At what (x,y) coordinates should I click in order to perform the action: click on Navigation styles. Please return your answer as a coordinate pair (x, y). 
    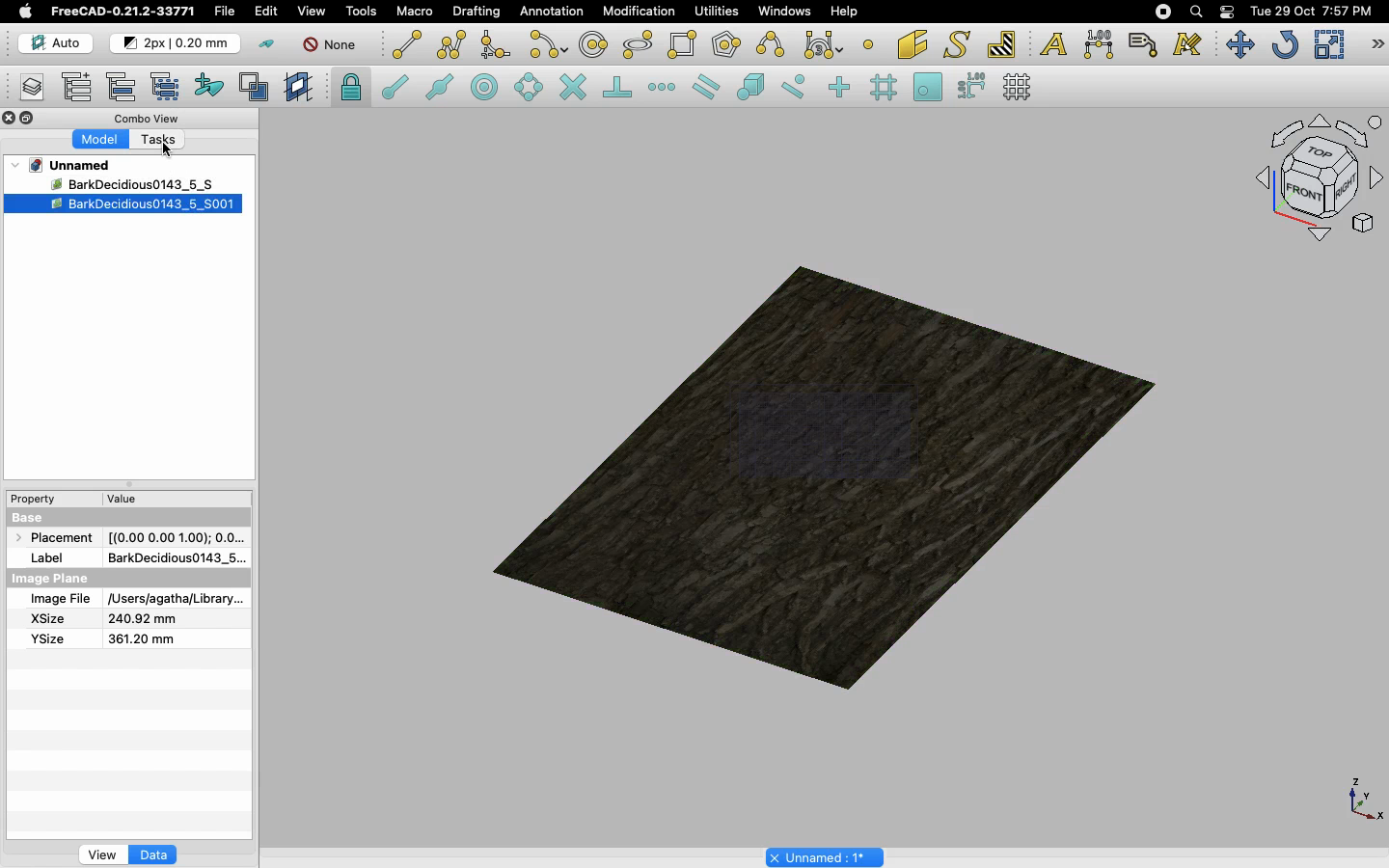
    Looking at the image, I should click on (1318, 181).